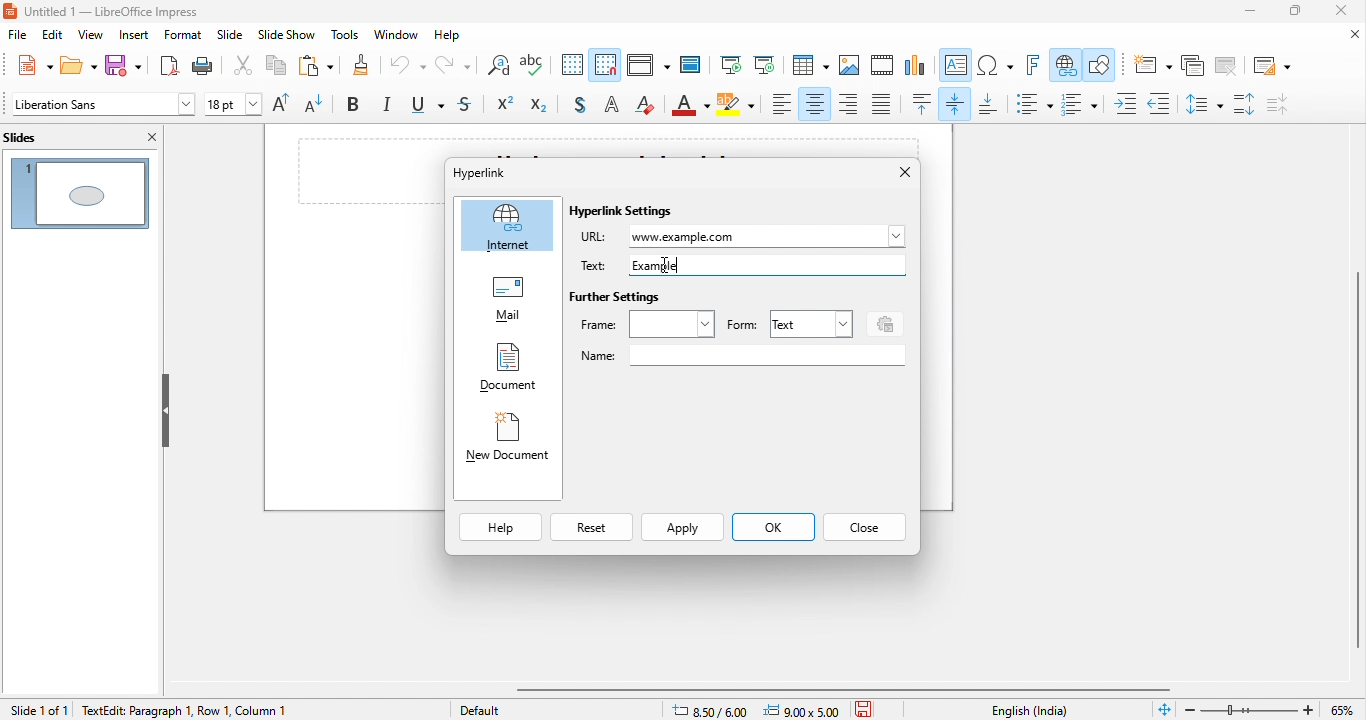 The width and height of the screenshot is (1366, 720). Describe the element at coordinates (989, 105) in the screenshot. I see `align bottom` at that location.